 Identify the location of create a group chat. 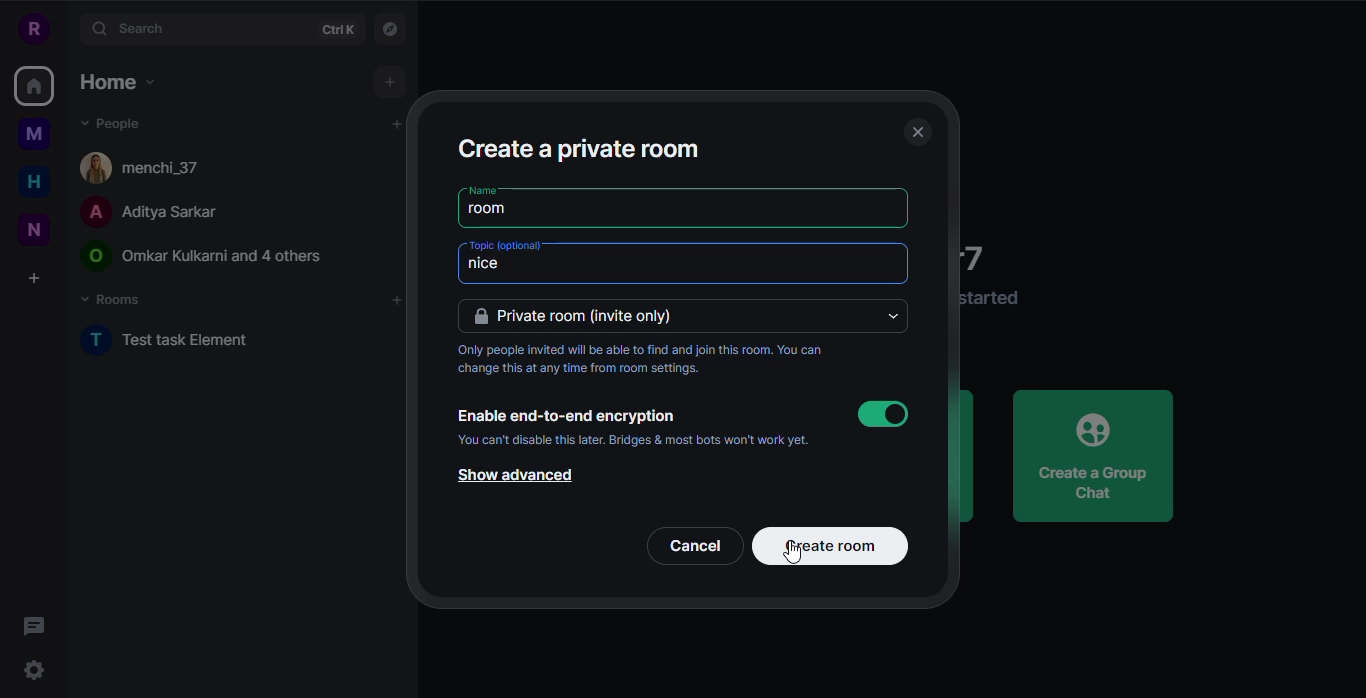
(1094, 455).